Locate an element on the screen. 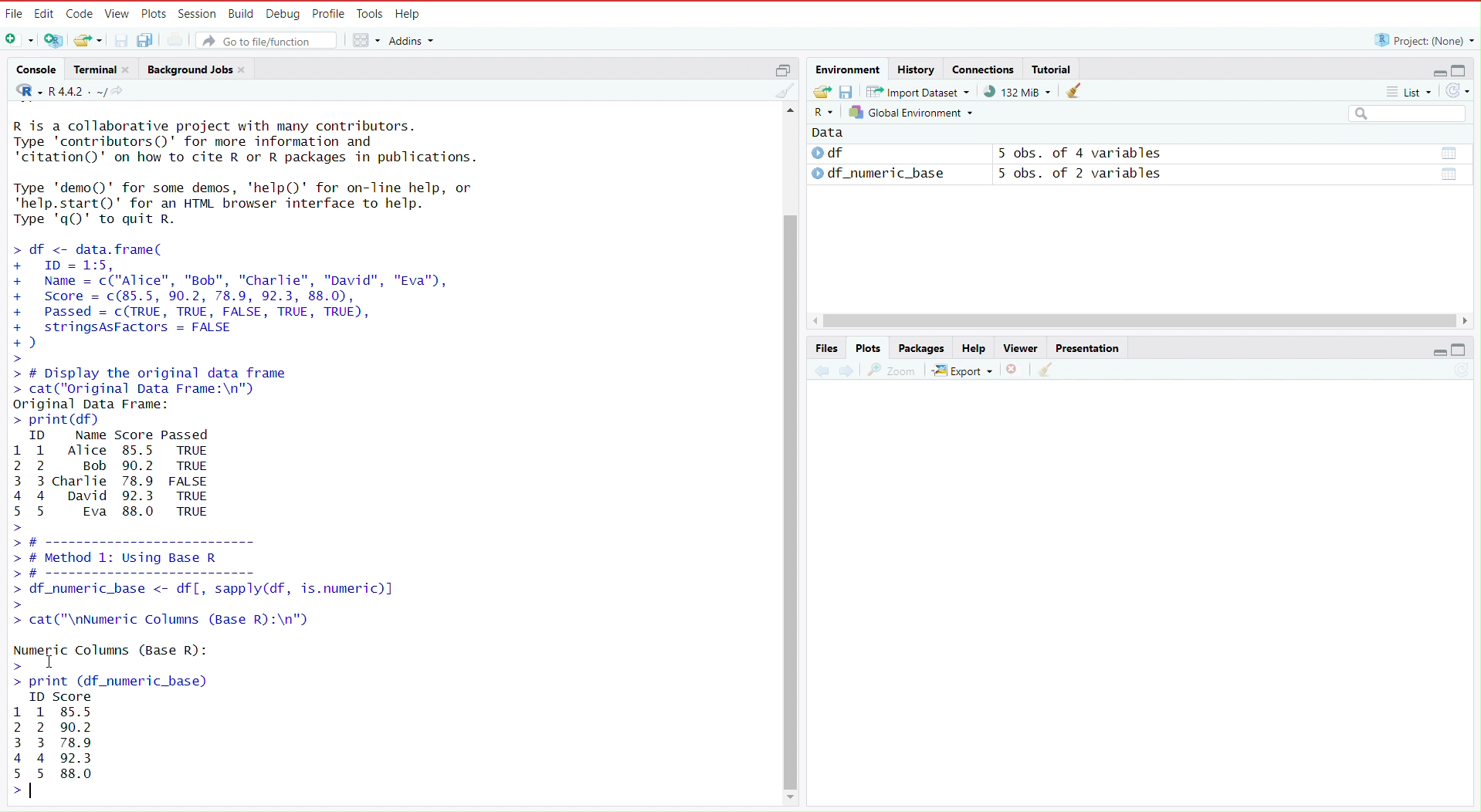 The width and height of the screenshot is (1481, 812). Plots is located at coordinates (156, 13).